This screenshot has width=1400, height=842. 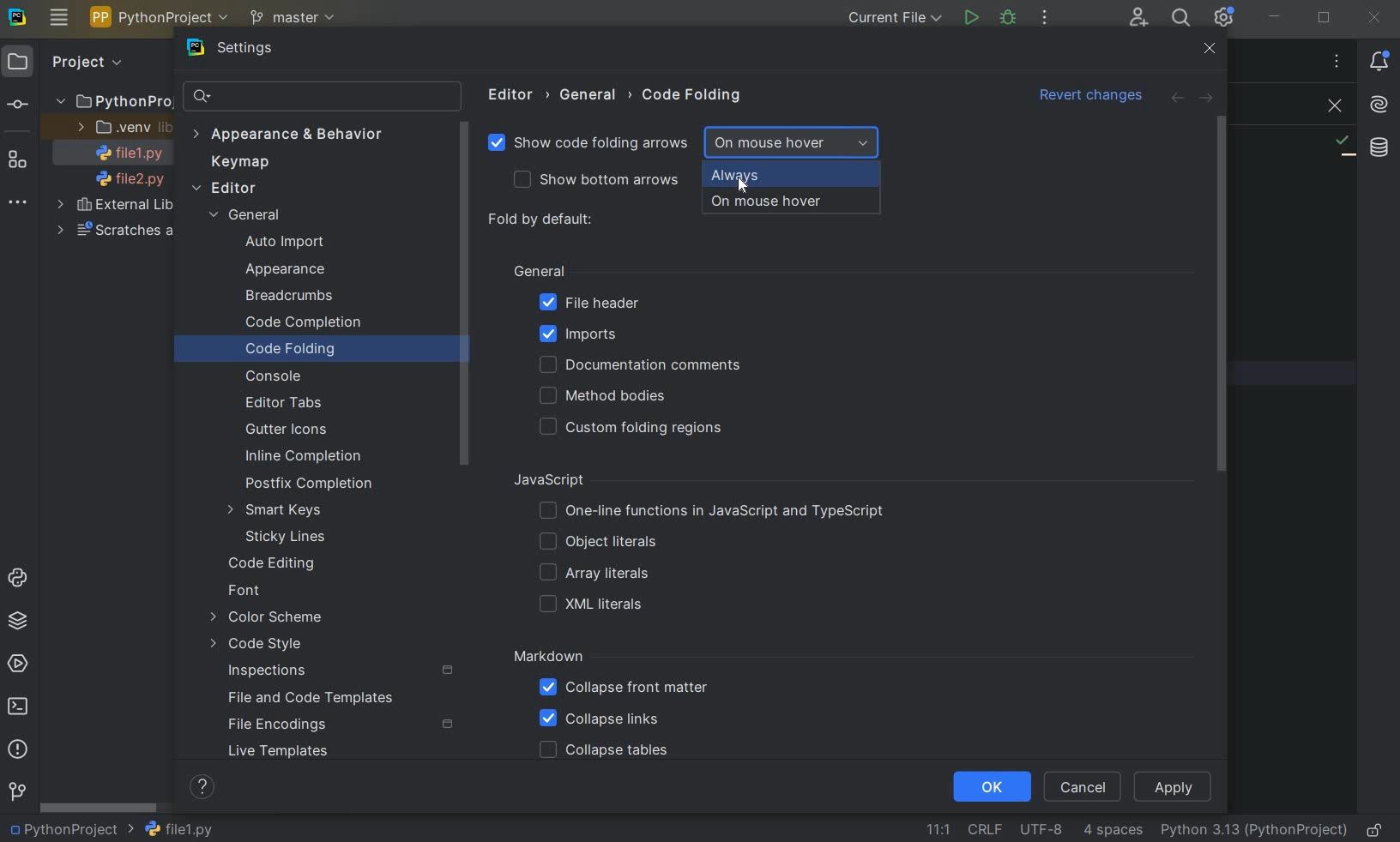 What do you see at coordinates (638, 365) in the screenshot?
I see `DOCUMENTATION COMMENTS` at bounding box center [638, 365].